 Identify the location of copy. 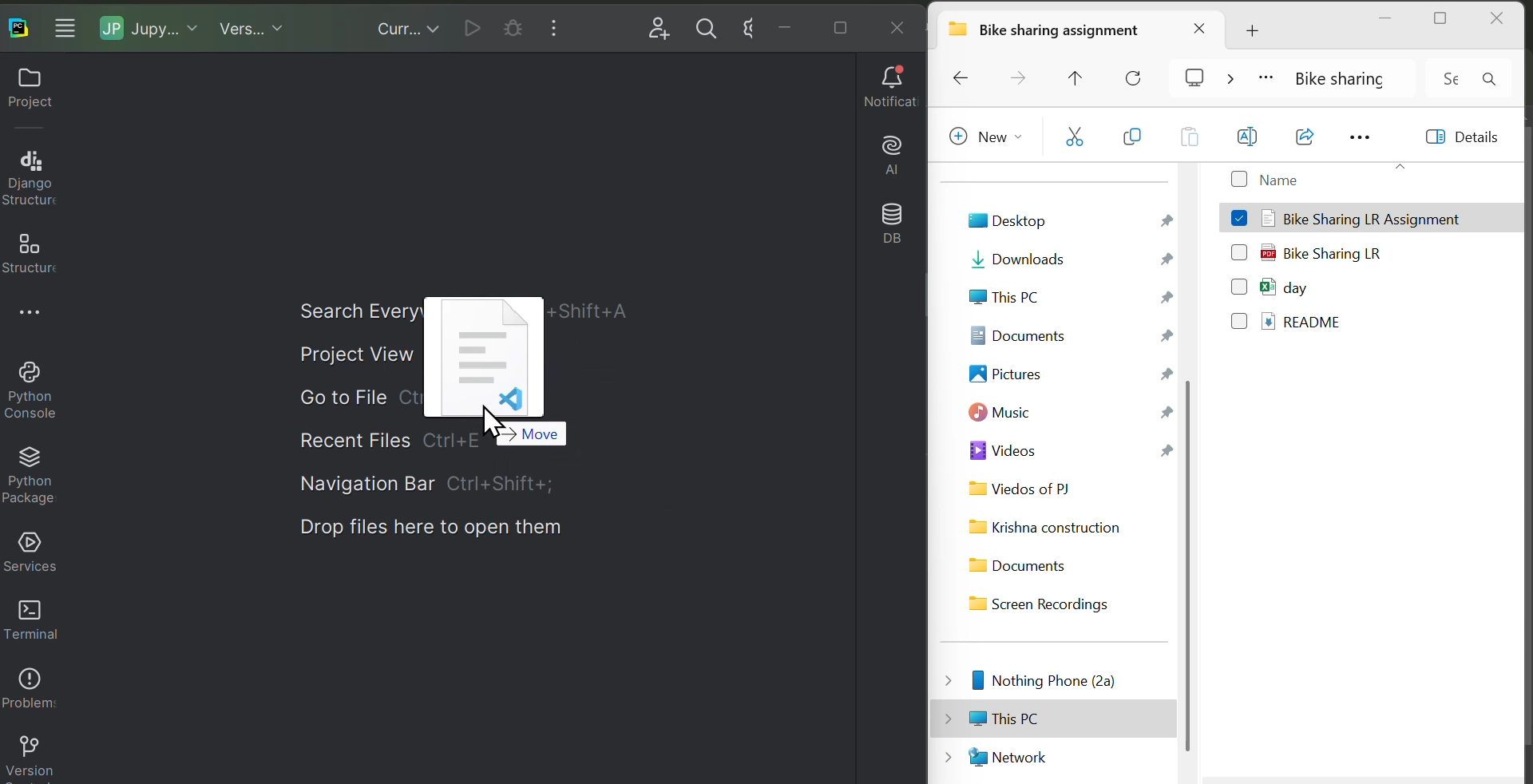
(1133, 138).